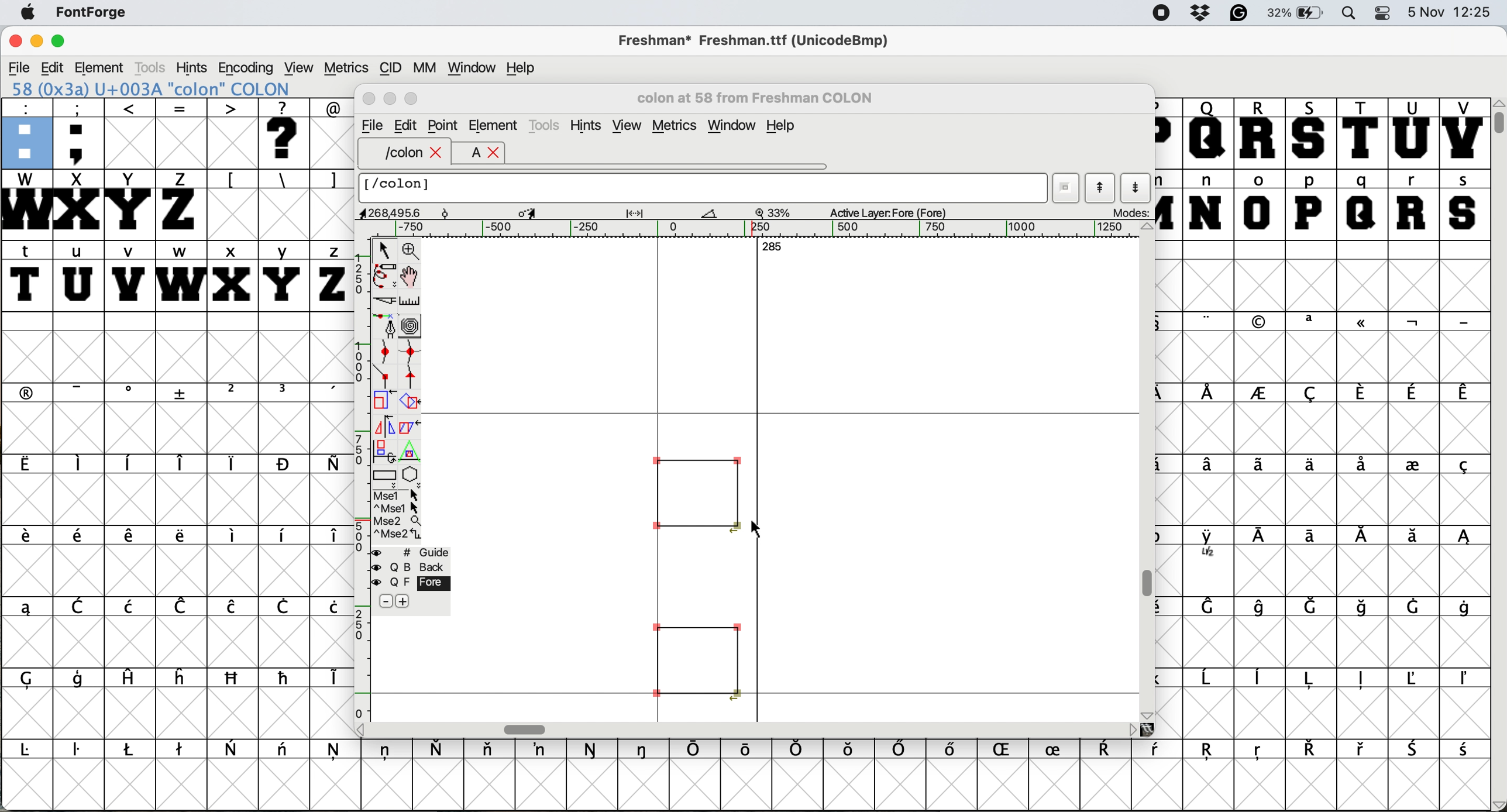 This screenshot has height=812, width=1507. I want to click on element, so click(493, 125).